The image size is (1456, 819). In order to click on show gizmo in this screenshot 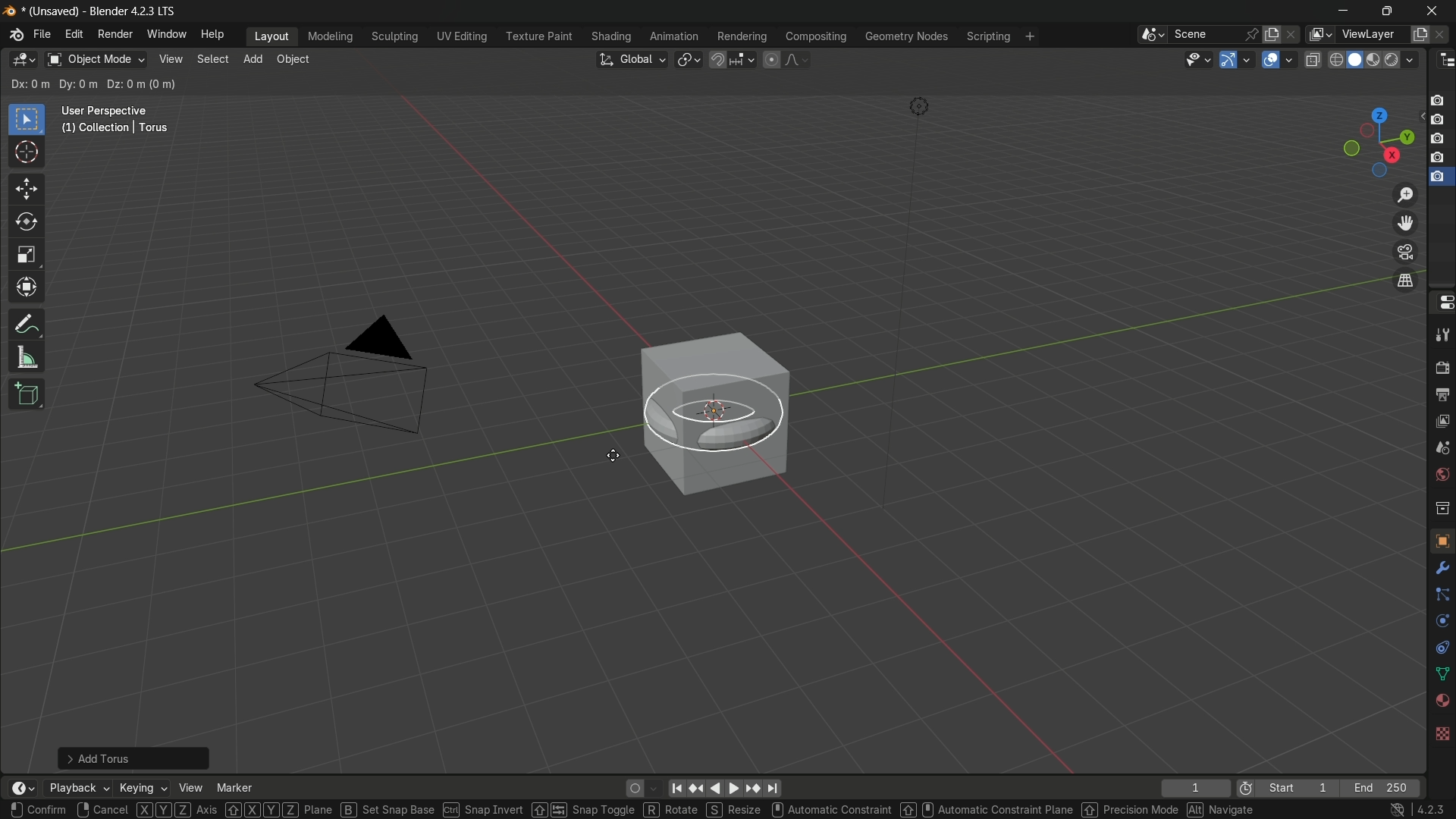, I will do `click(1228, 60)`.